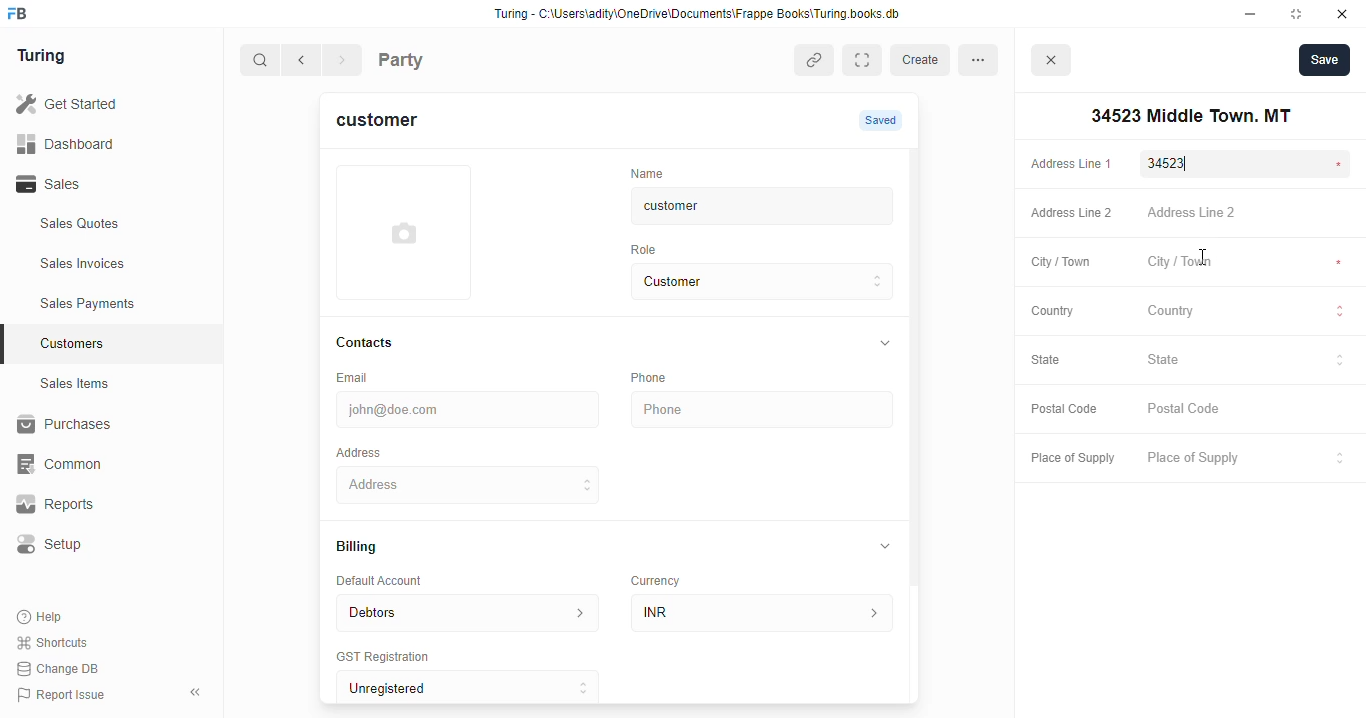  I want to click on collapse, so click(883, 344).